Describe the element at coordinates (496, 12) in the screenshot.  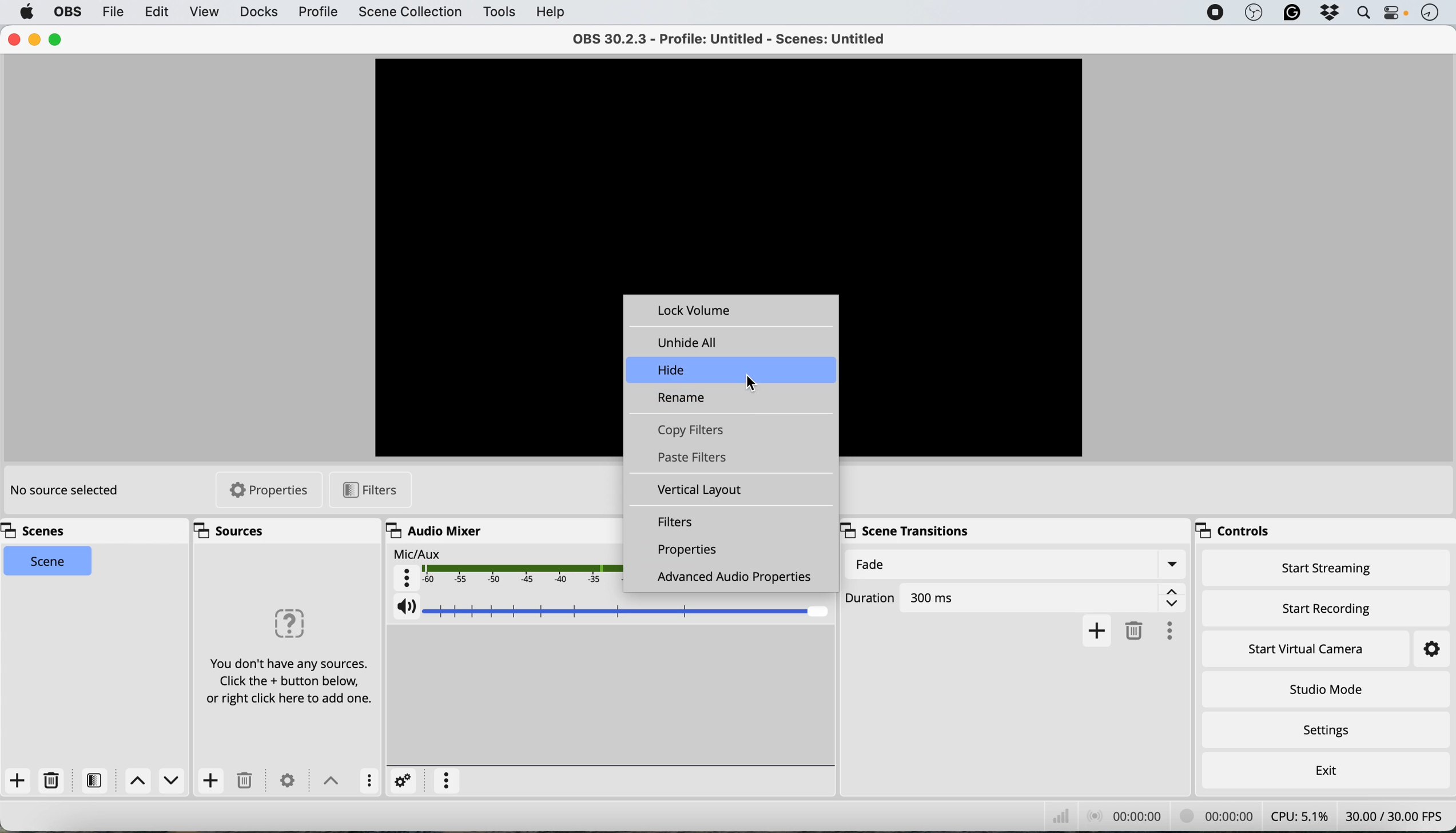
I see `tools` at that location.